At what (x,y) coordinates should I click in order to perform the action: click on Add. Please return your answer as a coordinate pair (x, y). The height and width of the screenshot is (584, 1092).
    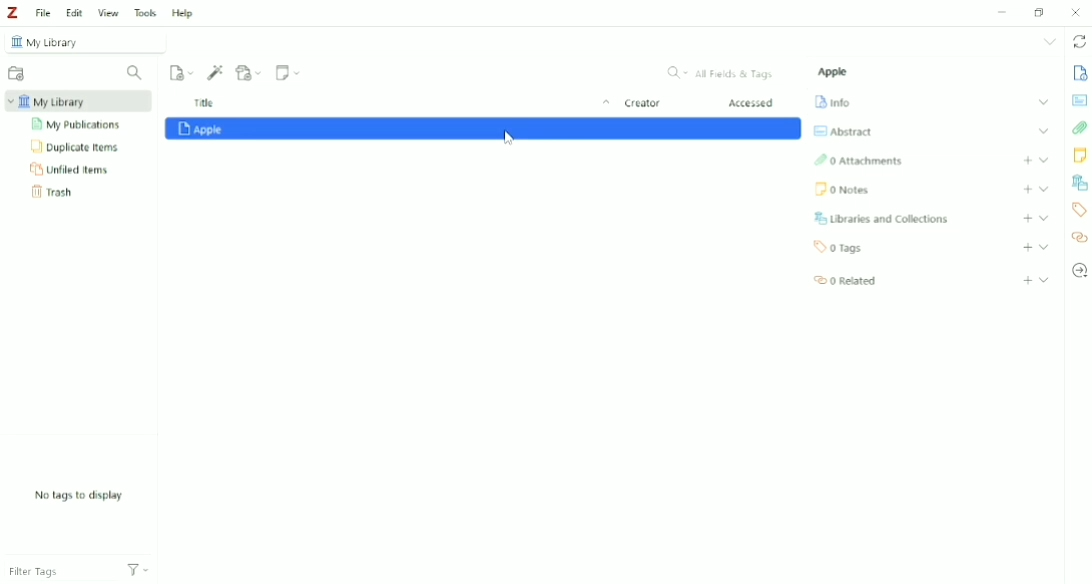
    Looking at the image, I should click on (1027, 189).